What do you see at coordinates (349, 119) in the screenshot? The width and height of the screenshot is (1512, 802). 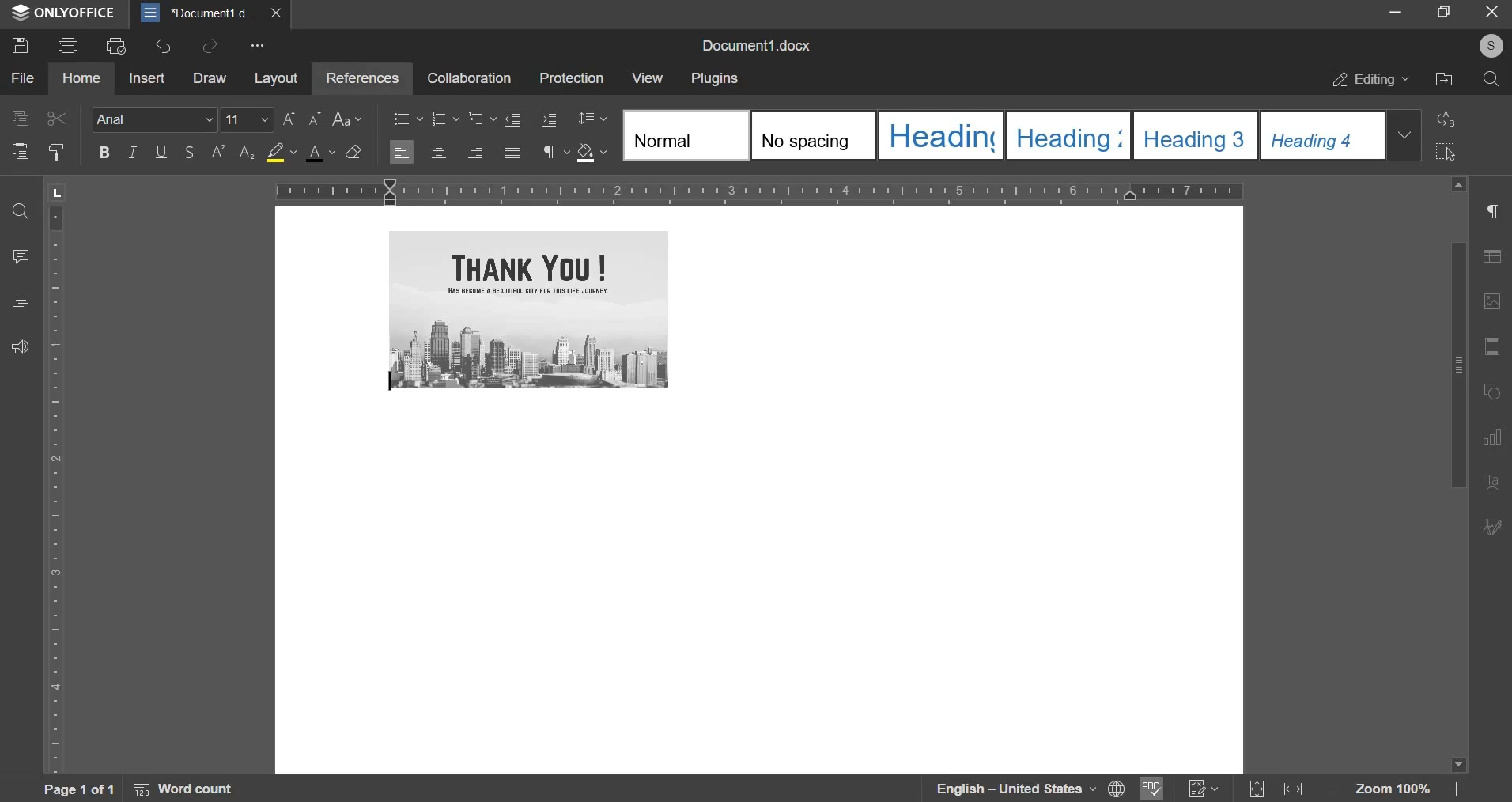 I see `change case` at bounding box center [349, 119].